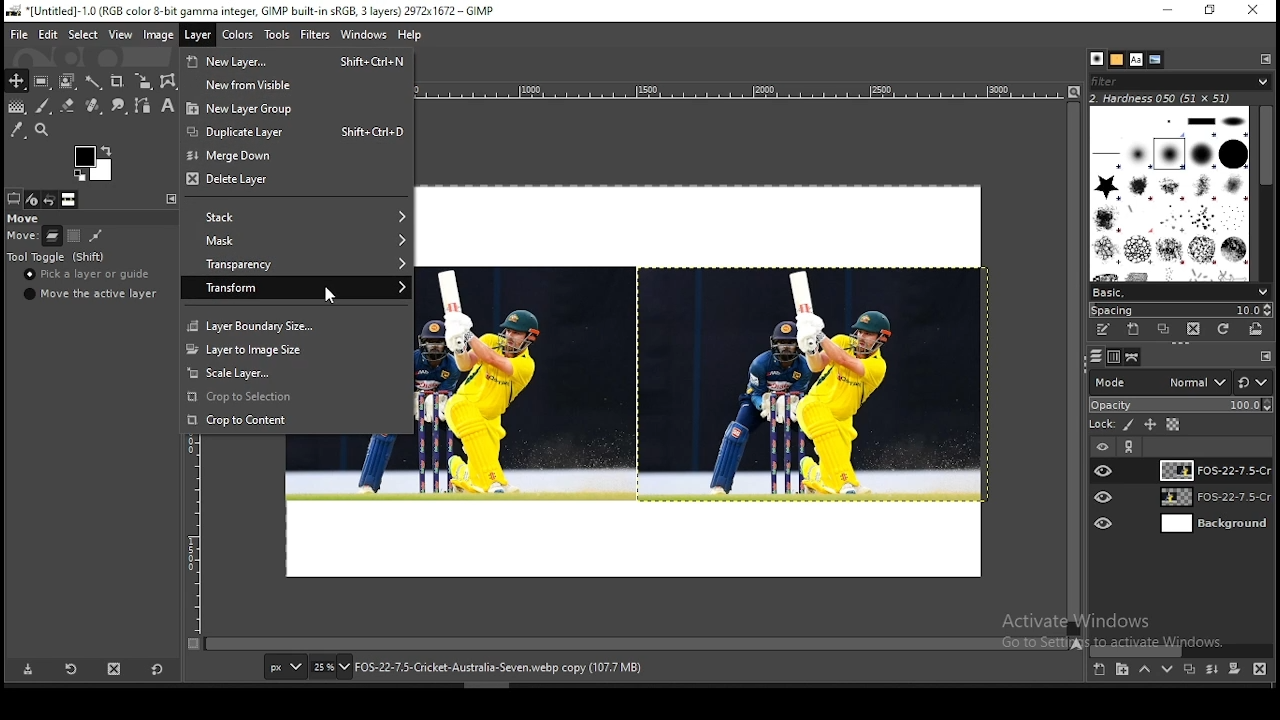 This screenshot has width=1280, height=720. Describe the element at coordinates (168, 81) in the screenshot. I see `wrap transform` at that location.